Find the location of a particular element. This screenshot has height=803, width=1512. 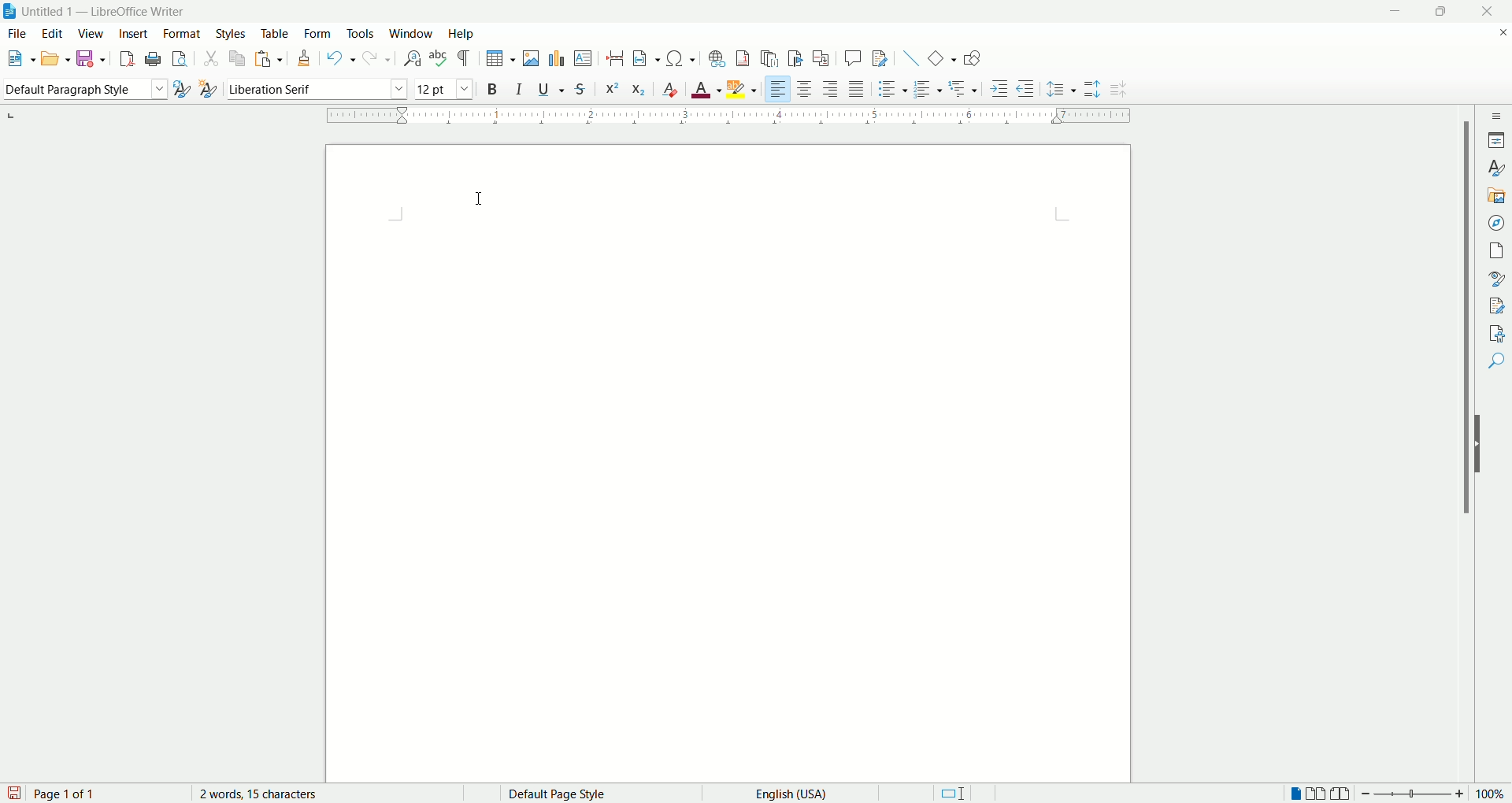

cut is located at coordinates (214, 58).